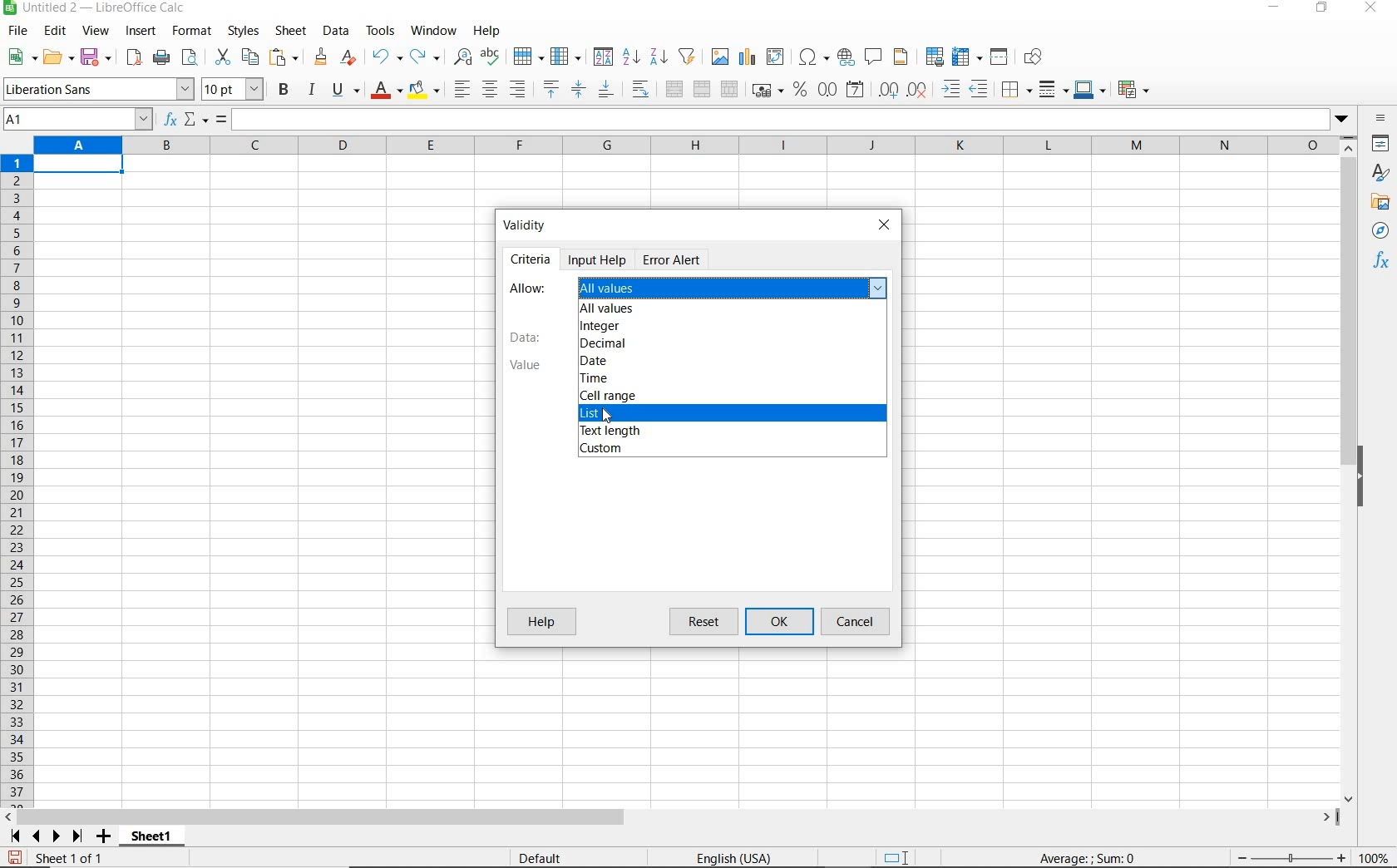 The image size is (1397, 868). Describe the element at coordinates (1089, 89) in the screenshot. I see `border color` at that location.